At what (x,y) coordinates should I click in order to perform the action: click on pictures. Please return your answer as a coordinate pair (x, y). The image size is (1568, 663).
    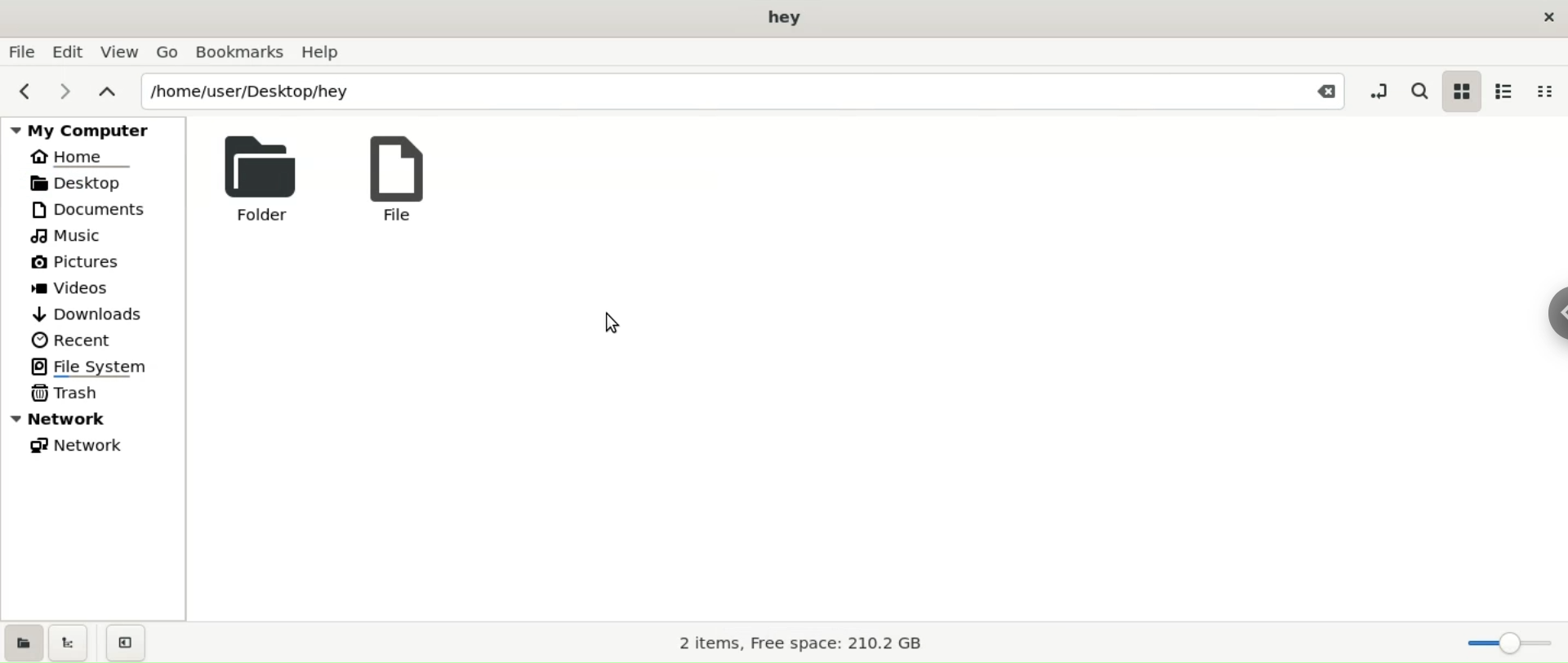
    Looking at the image, I should click on (78, 262).